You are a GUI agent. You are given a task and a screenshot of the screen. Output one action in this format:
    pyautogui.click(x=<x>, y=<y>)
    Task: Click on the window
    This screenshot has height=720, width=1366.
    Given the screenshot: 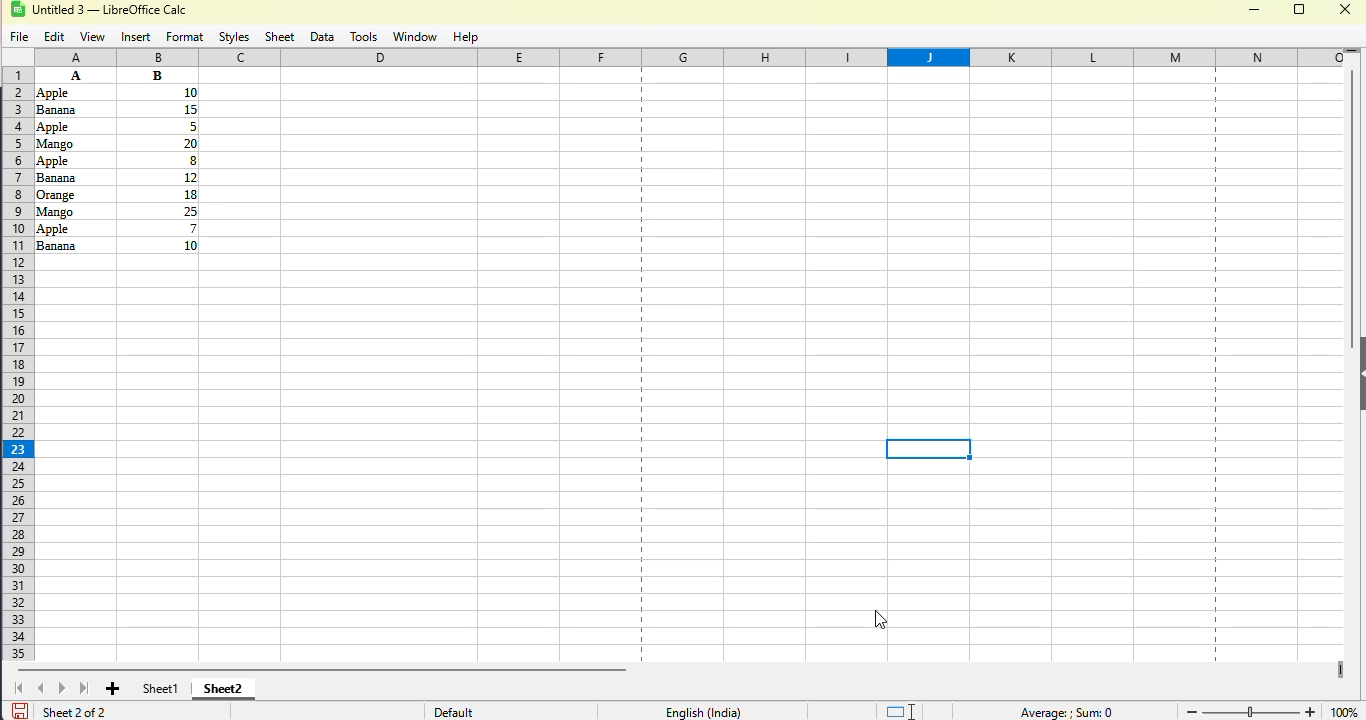 What is the action you would take?
    pyautogui.click(x=414, y=37)
    